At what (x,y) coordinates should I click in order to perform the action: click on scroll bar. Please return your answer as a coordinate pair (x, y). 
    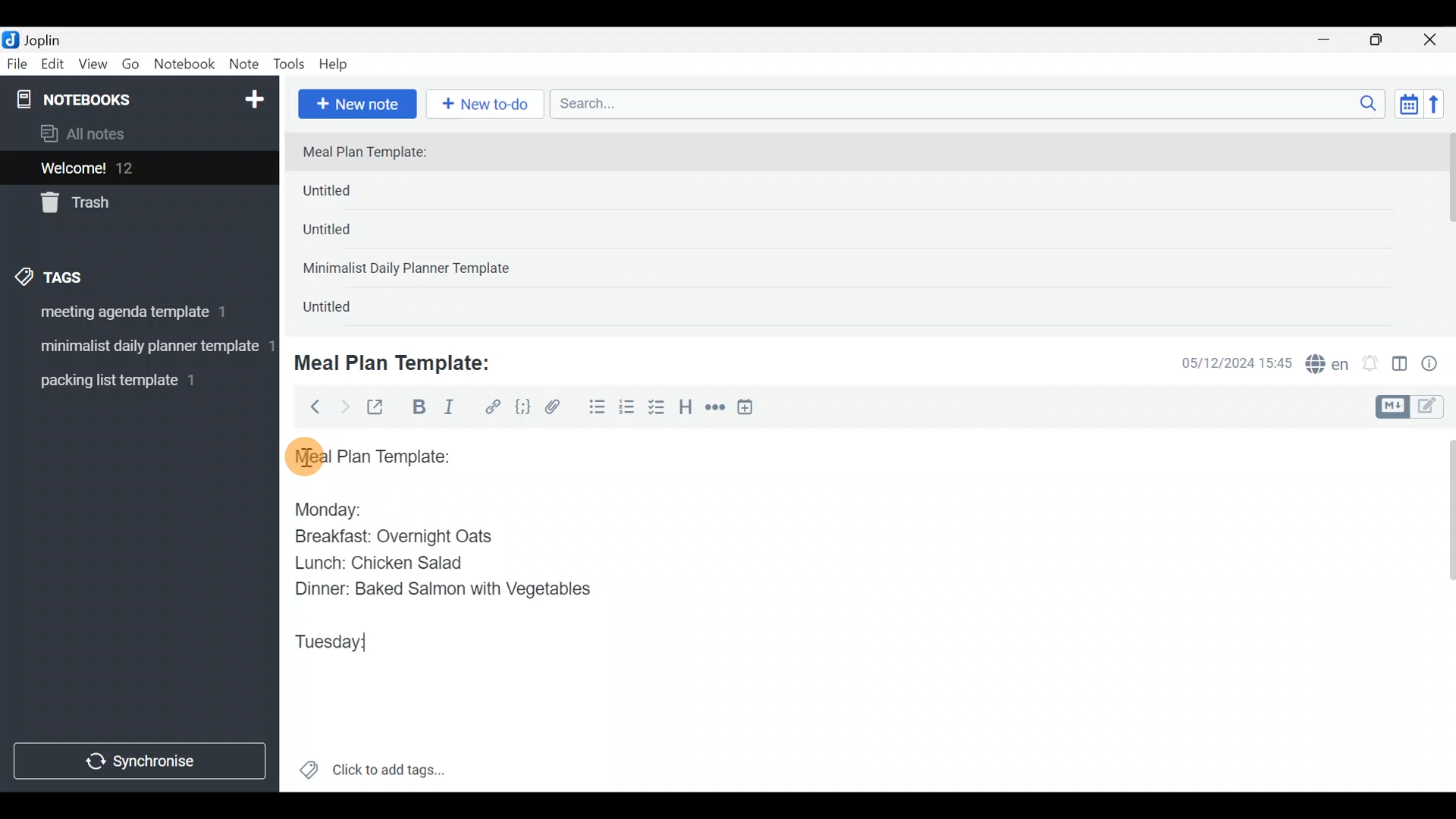
    Looking at the image, I should click on (1446, 229).